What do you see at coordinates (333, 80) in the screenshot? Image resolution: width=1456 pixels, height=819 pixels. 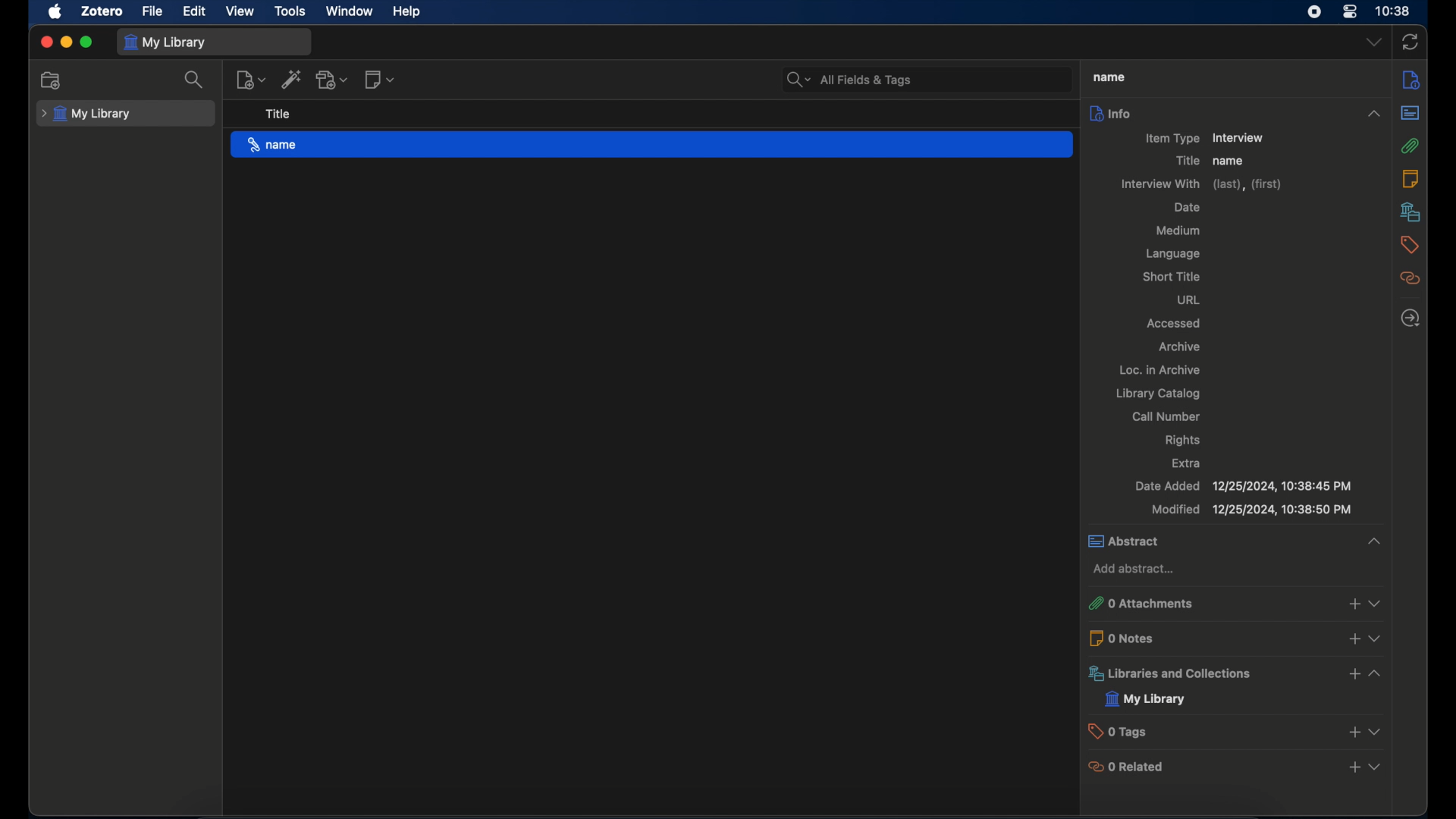 I see `add attachment` at bounding box center [333, 80].